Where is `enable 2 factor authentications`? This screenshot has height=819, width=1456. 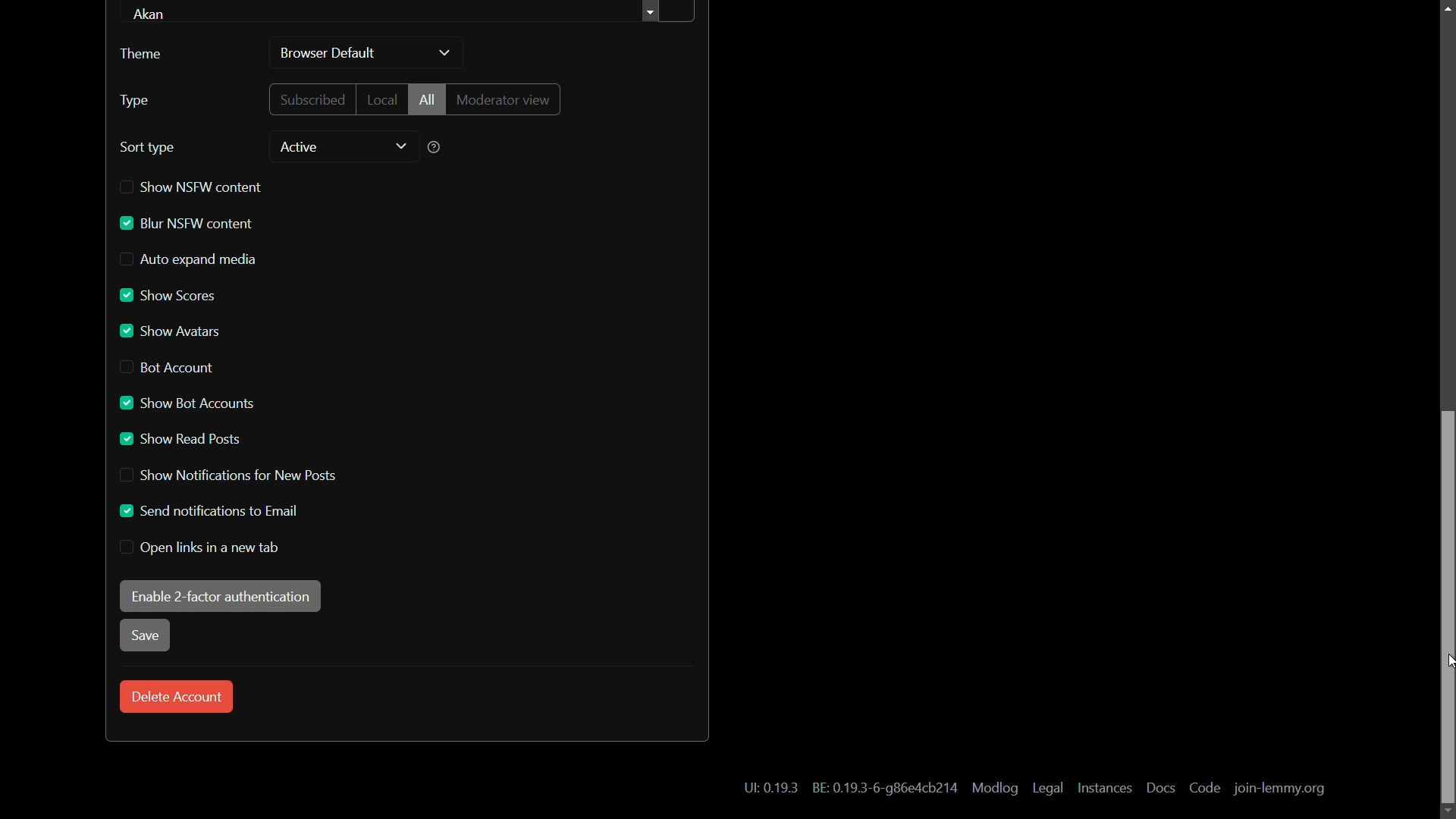 enable 2 factor authentications is located at coordinates (220, 595).